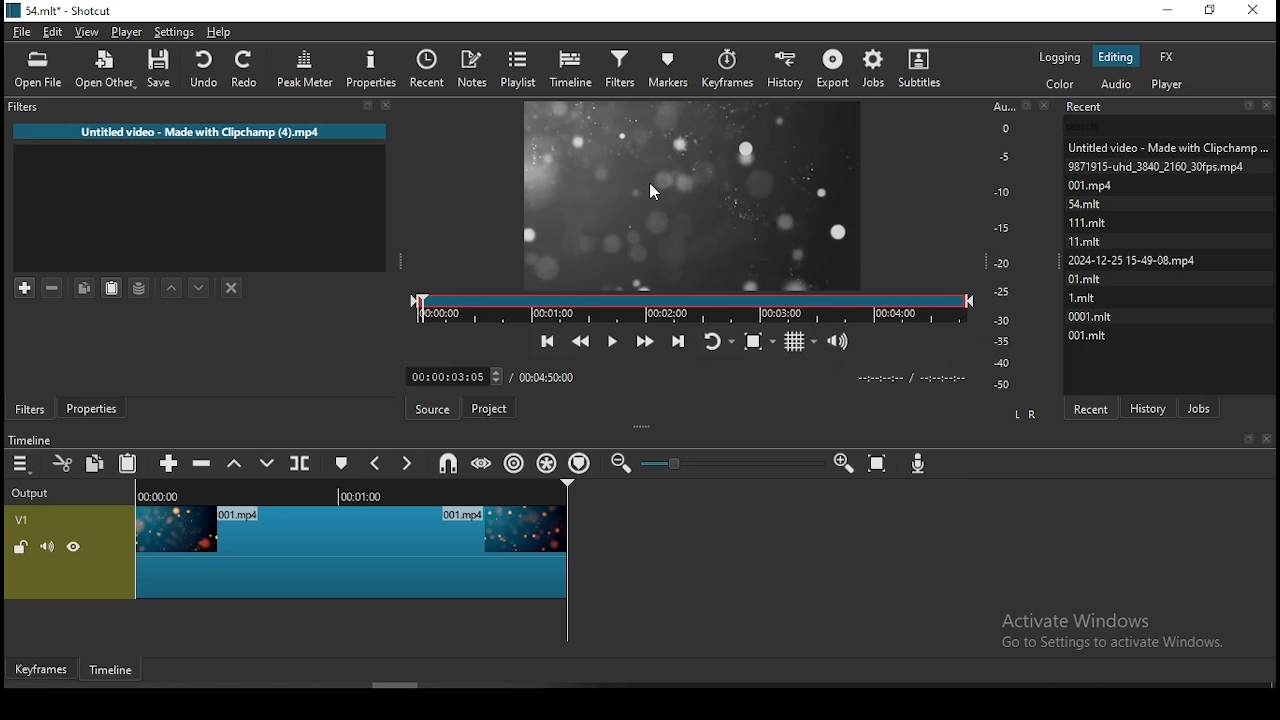  Describe the element at coordinates (696, 194) in the screenshot. I see `video preview` at that location.